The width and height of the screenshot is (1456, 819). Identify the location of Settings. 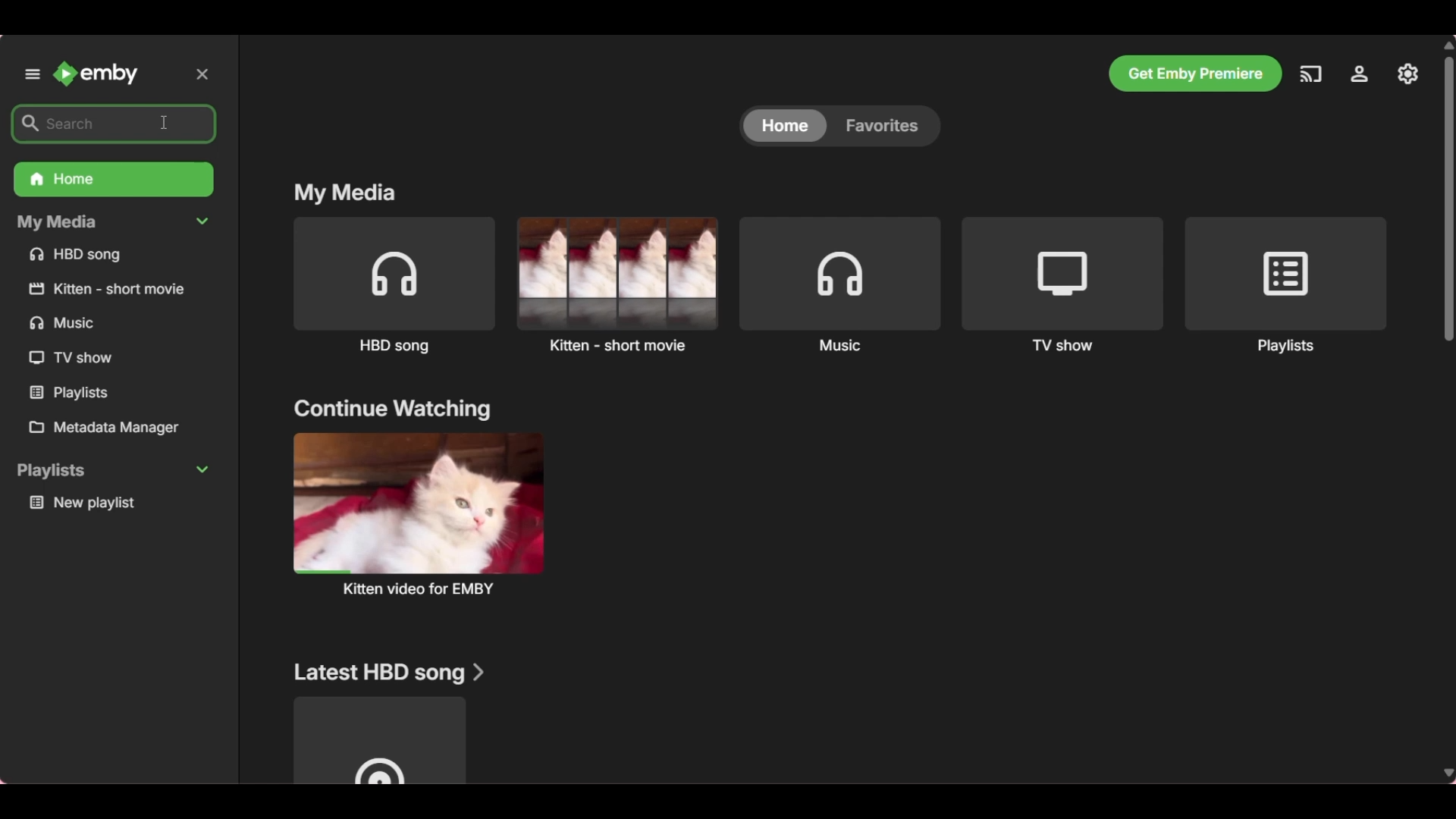
(1409, 74).